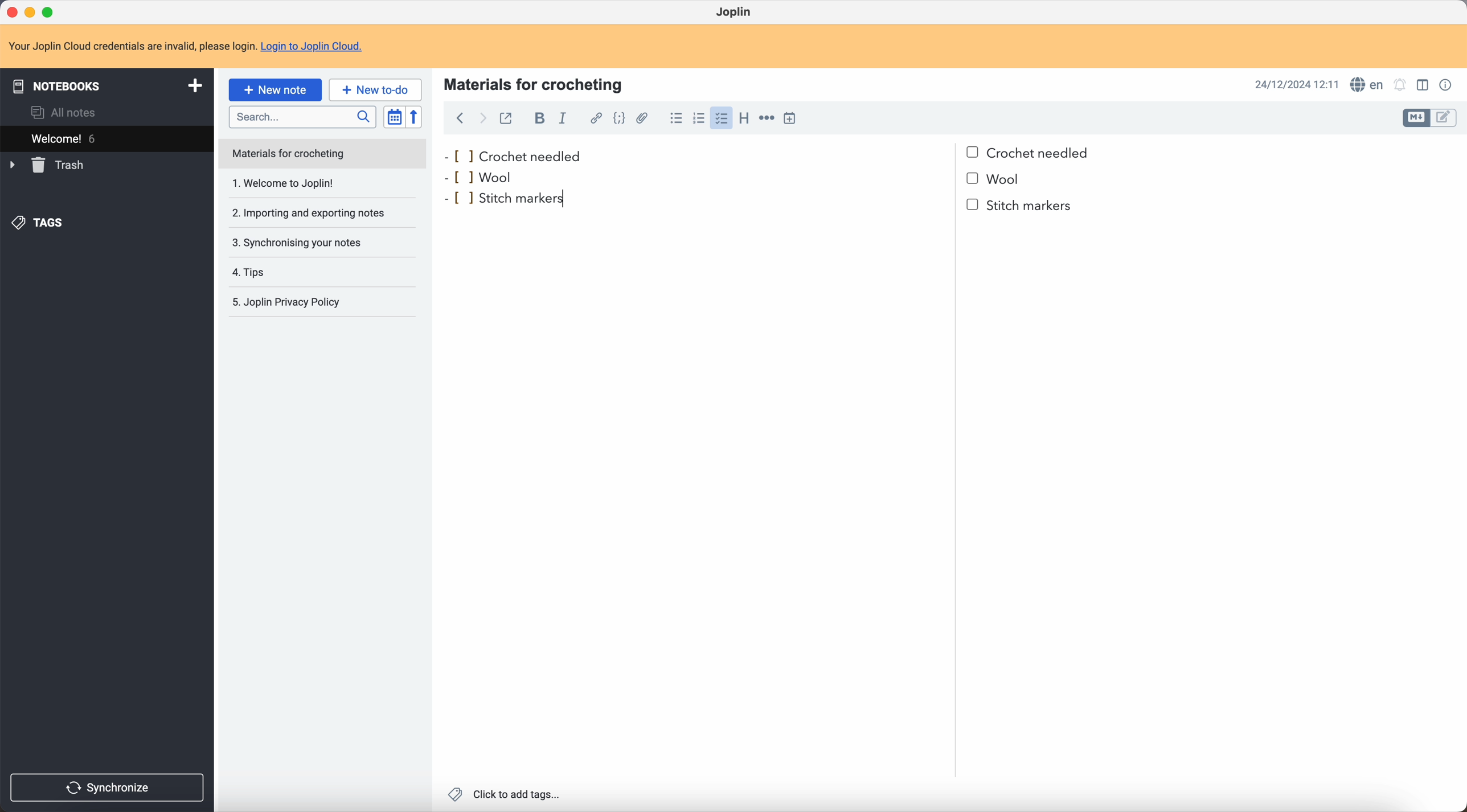  Describe the element at coordinates (460, 120) in the screenshot. I see `back` at that location.